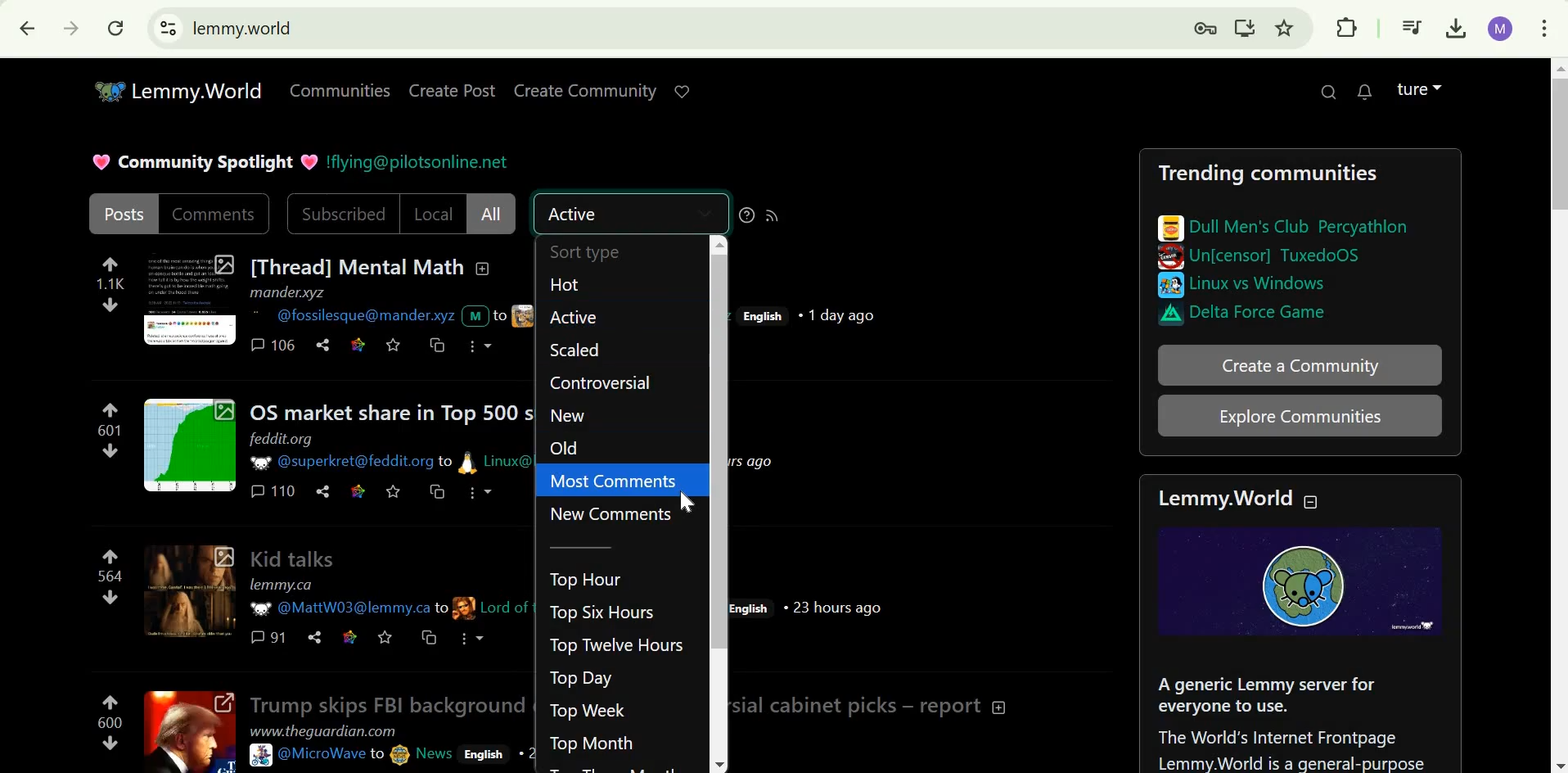 This screenshot has width=1568, height=773. I want to click on Lemmy.World, so click(176, 88).